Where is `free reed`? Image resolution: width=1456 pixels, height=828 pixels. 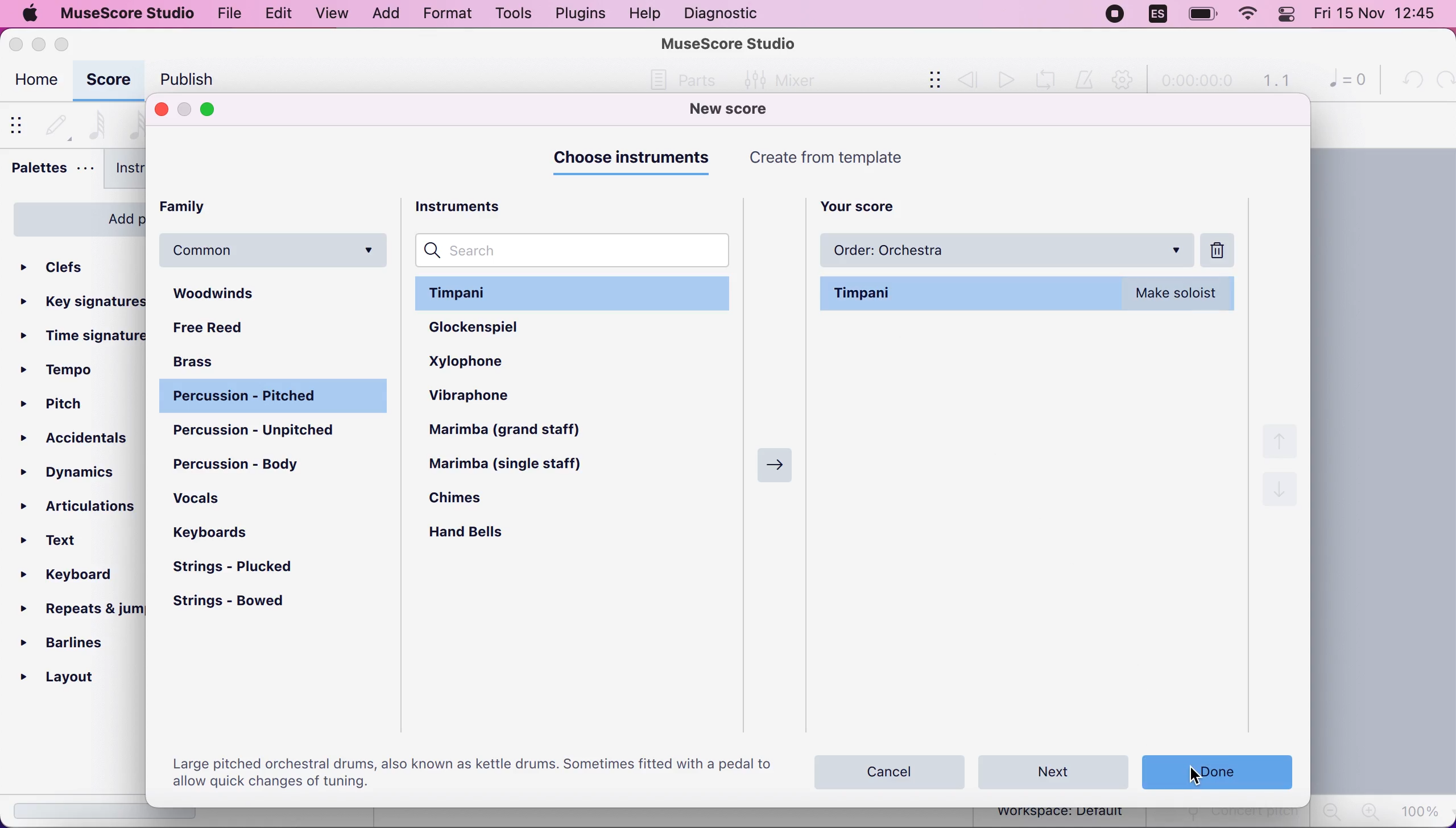 free reed is located at coordinates (237, 329).